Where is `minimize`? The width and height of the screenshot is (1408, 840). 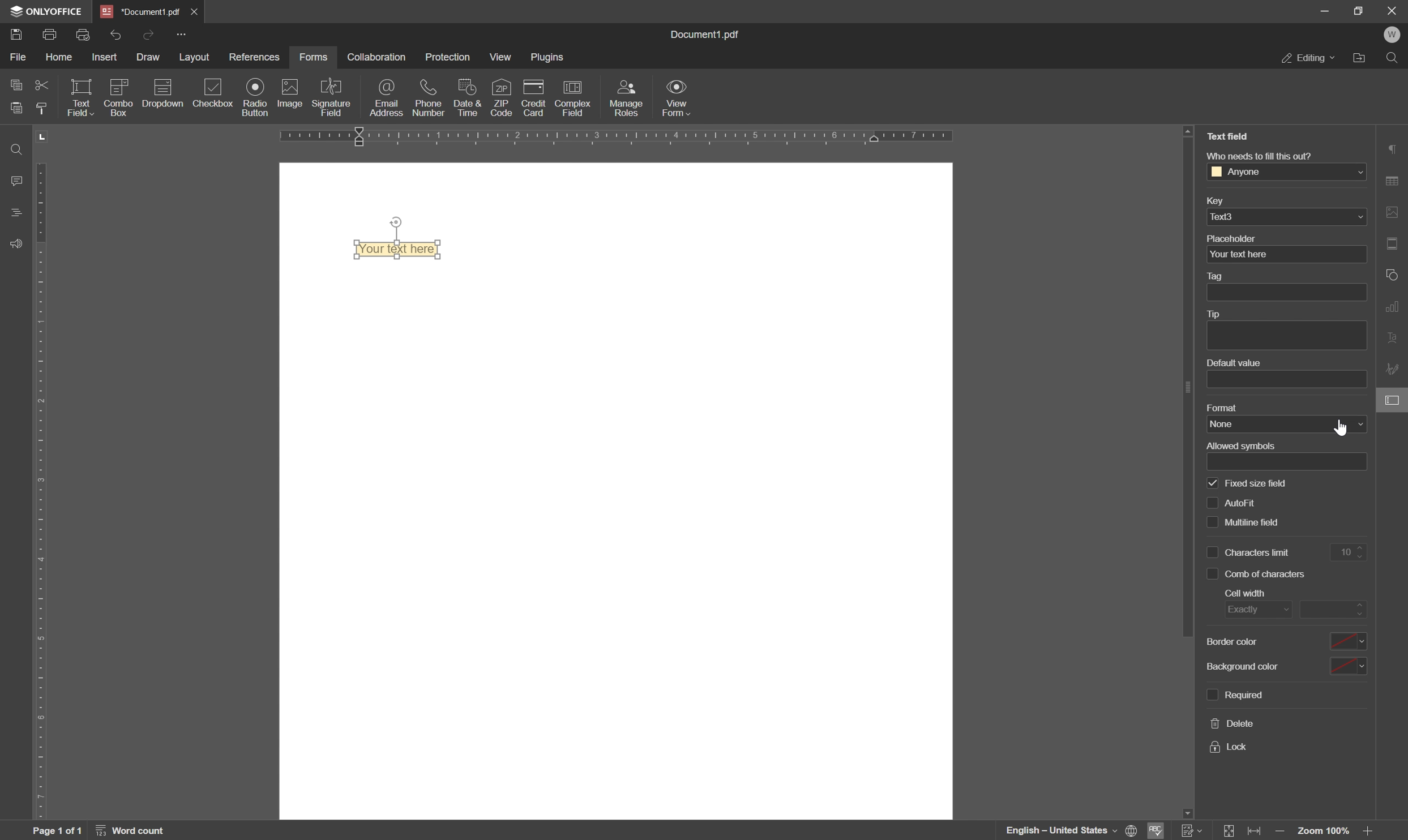
minimize is located at coordinates (1325, 12).